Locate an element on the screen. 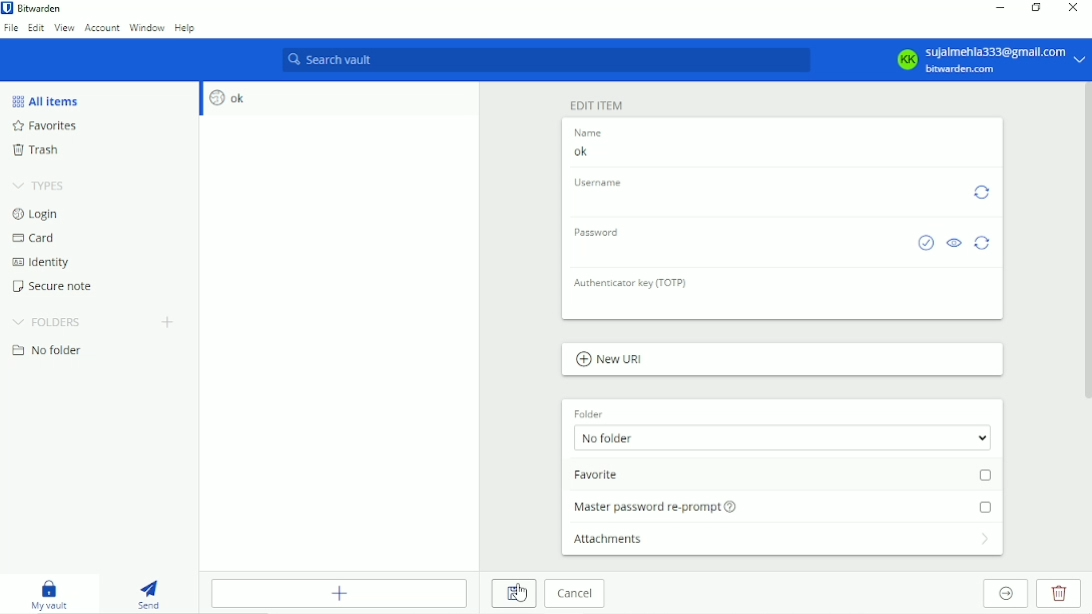 The image size is (1092, 614). View is located at coordinates (63, 29).